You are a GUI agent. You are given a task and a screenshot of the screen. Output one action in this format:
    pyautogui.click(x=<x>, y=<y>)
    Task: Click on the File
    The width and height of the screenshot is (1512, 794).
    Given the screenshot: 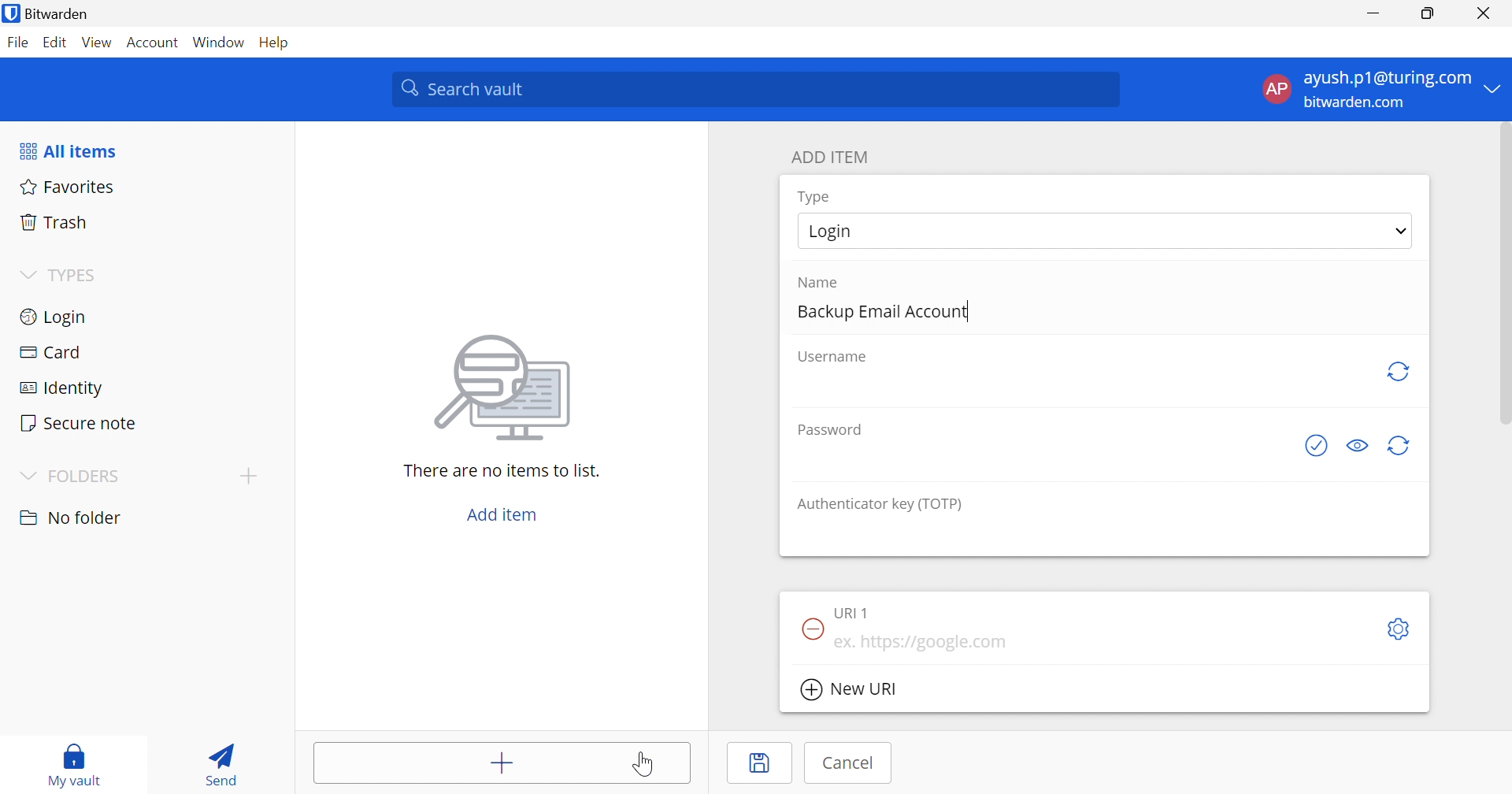 What is the action you would take?
    pyautogui.click(x=17, y=42)
    